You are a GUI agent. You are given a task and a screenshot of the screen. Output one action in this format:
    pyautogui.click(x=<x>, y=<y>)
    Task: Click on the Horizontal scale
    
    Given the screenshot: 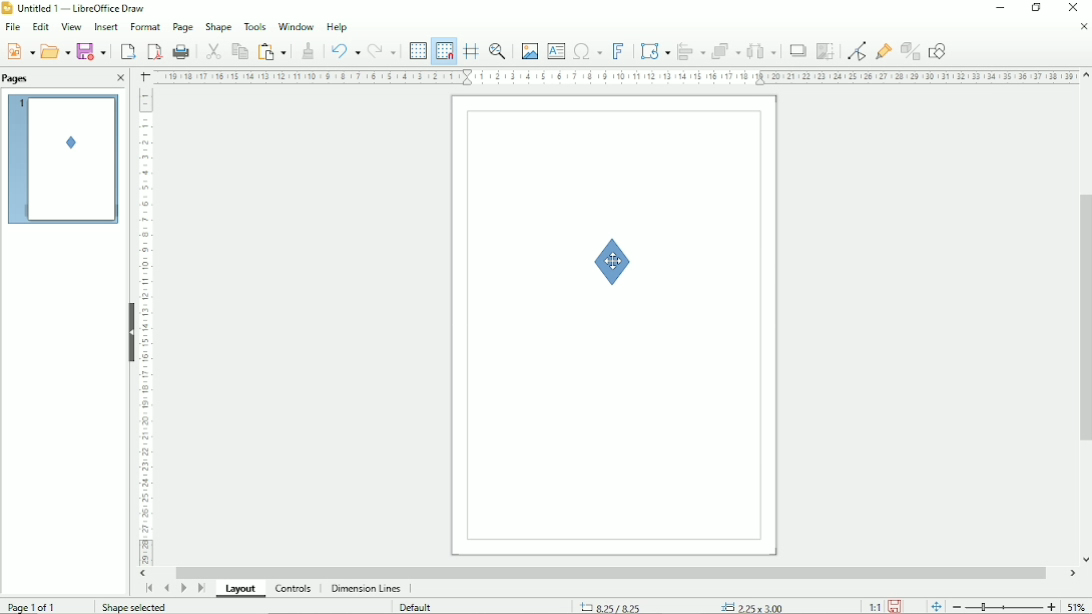 What is the action you would take?
    pyautogui.click(x=612, y=78)
    